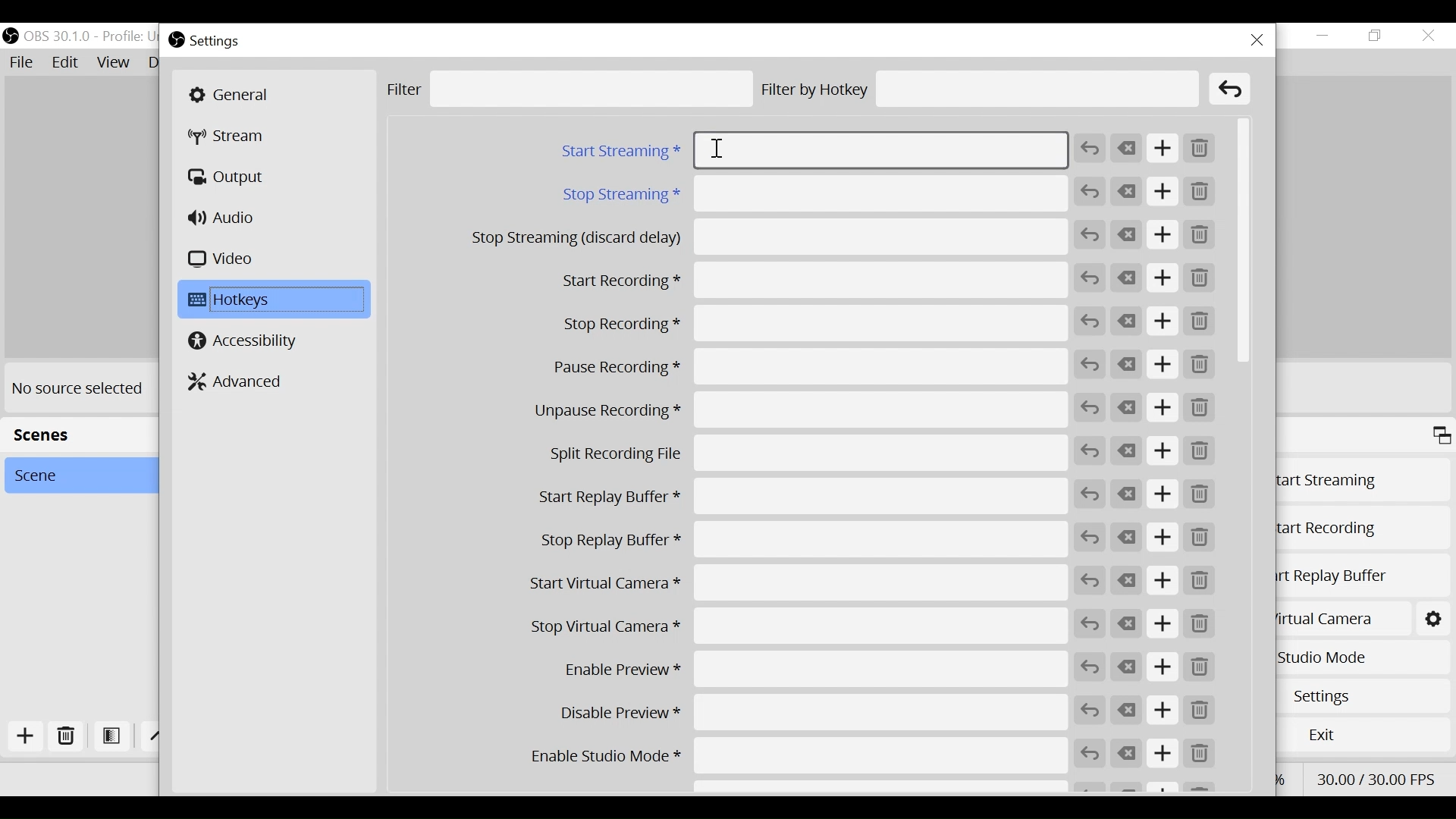  What do you see at coordinates (224, 258) in the screenshot?
I see `Video` at bounding box center [224, 258].